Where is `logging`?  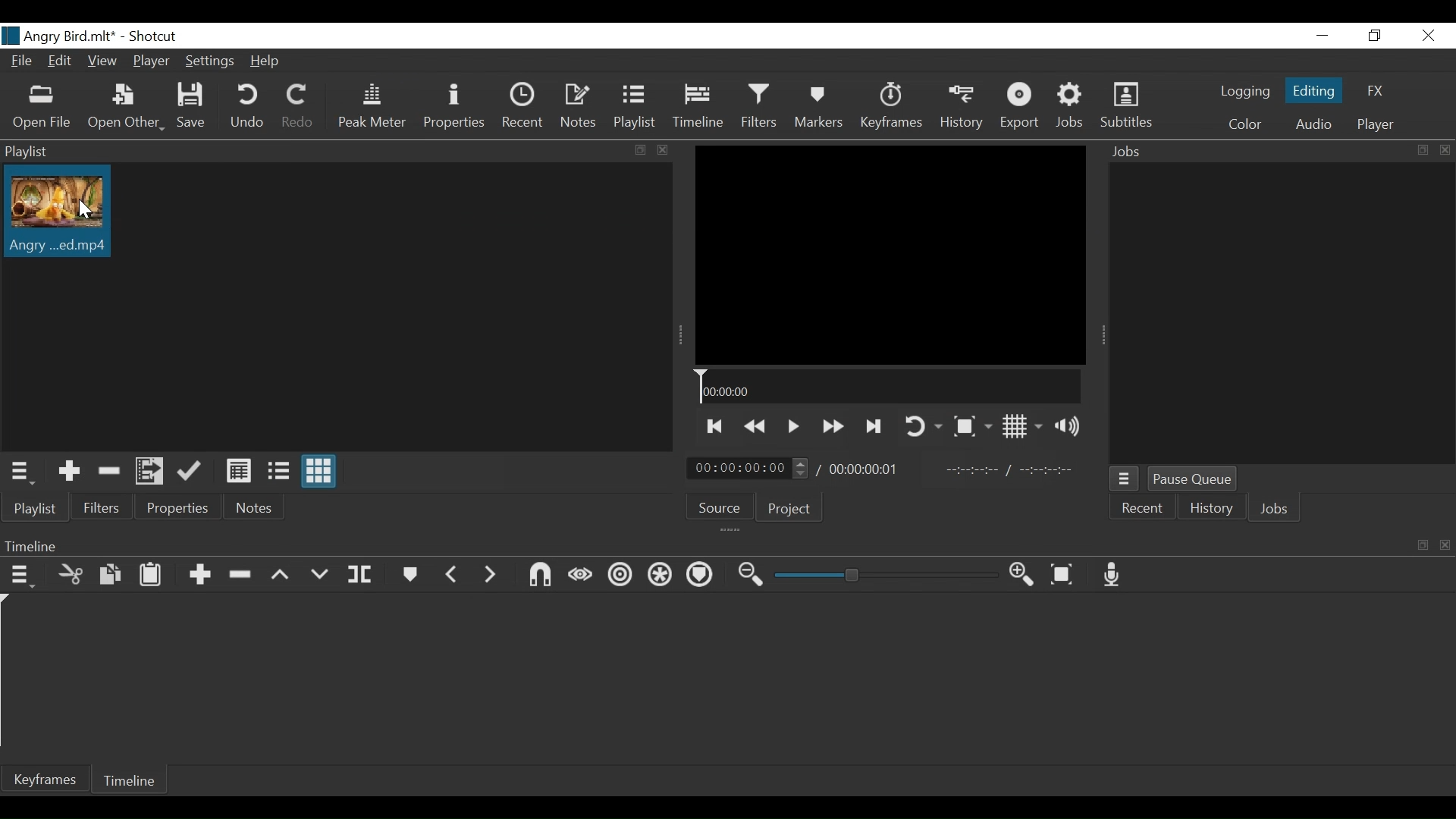
logging is located at coordinates (1246, 92).